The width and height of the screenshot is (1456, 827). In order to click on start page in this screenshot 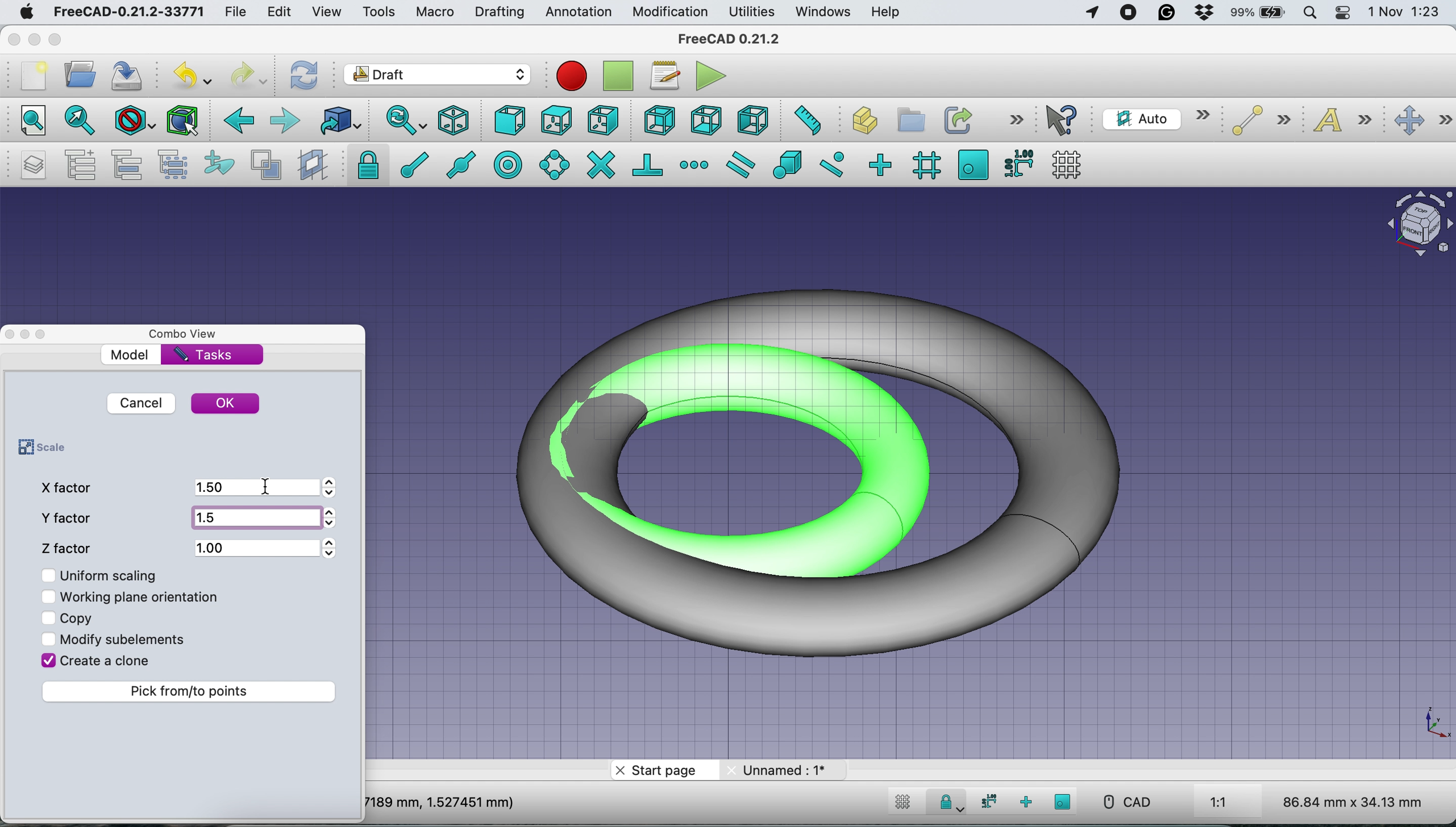, I will do `click(662, 771)`.